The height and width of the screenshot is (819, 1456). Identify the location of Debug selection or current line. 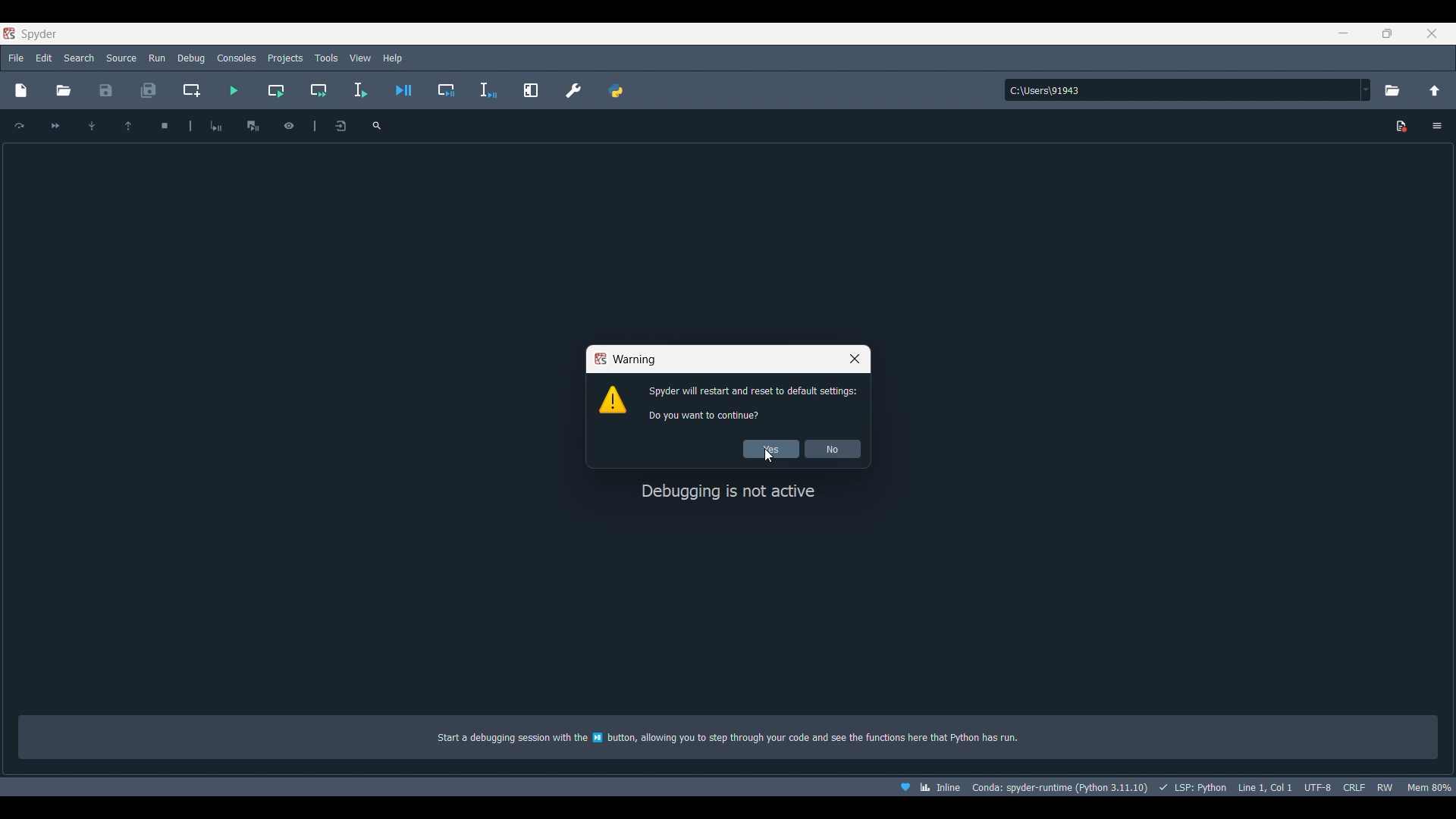
(489, 90).